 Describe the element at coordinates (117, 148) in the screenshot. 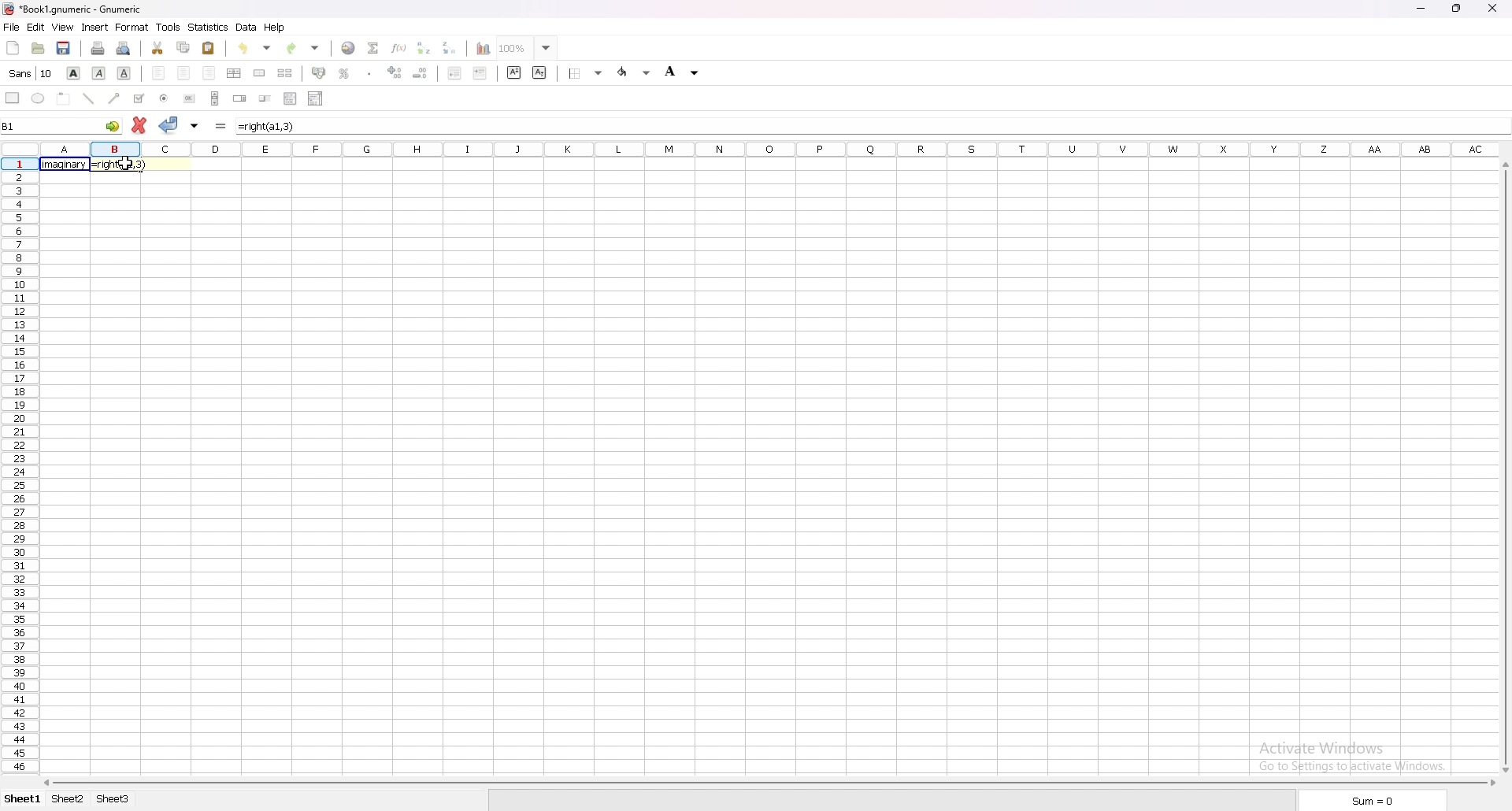

I see `selected cell column` at that location.